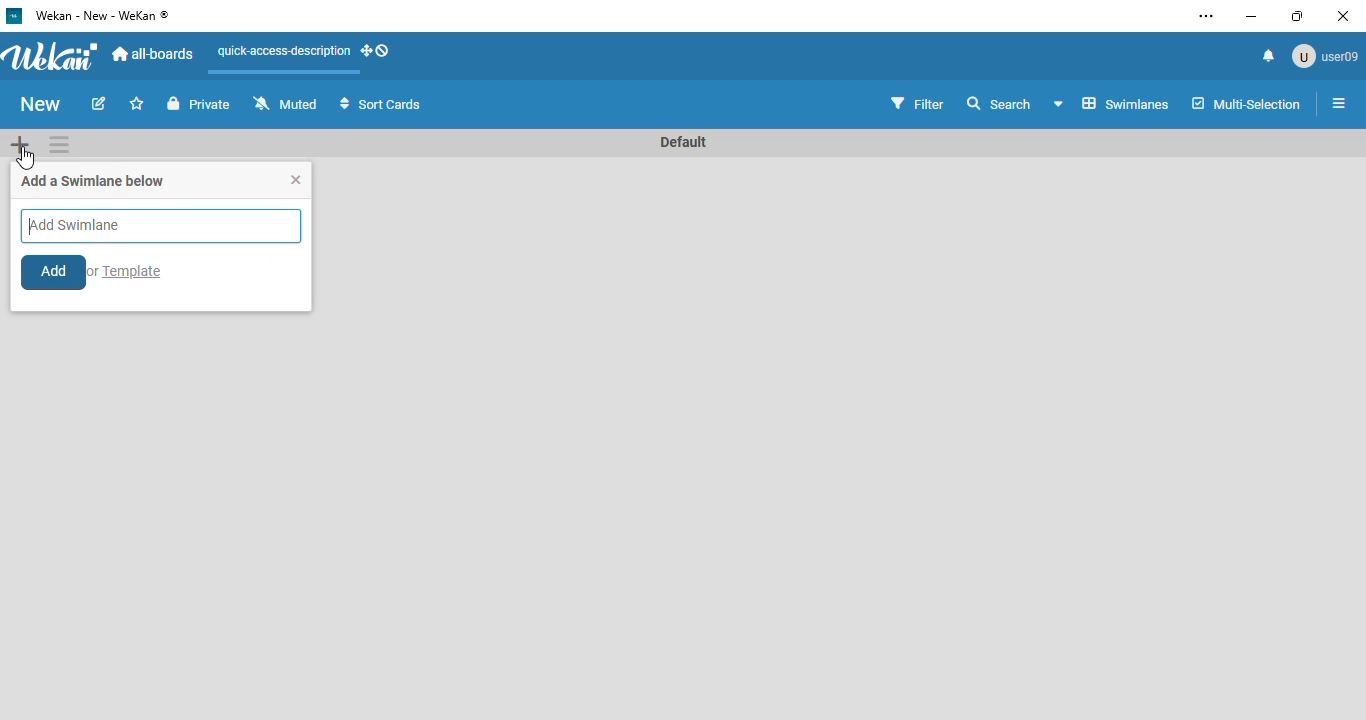 The image size is (1366, 720). Describe the element at coordinates (136, 271) in the screenshot. I see `Template` at that location.